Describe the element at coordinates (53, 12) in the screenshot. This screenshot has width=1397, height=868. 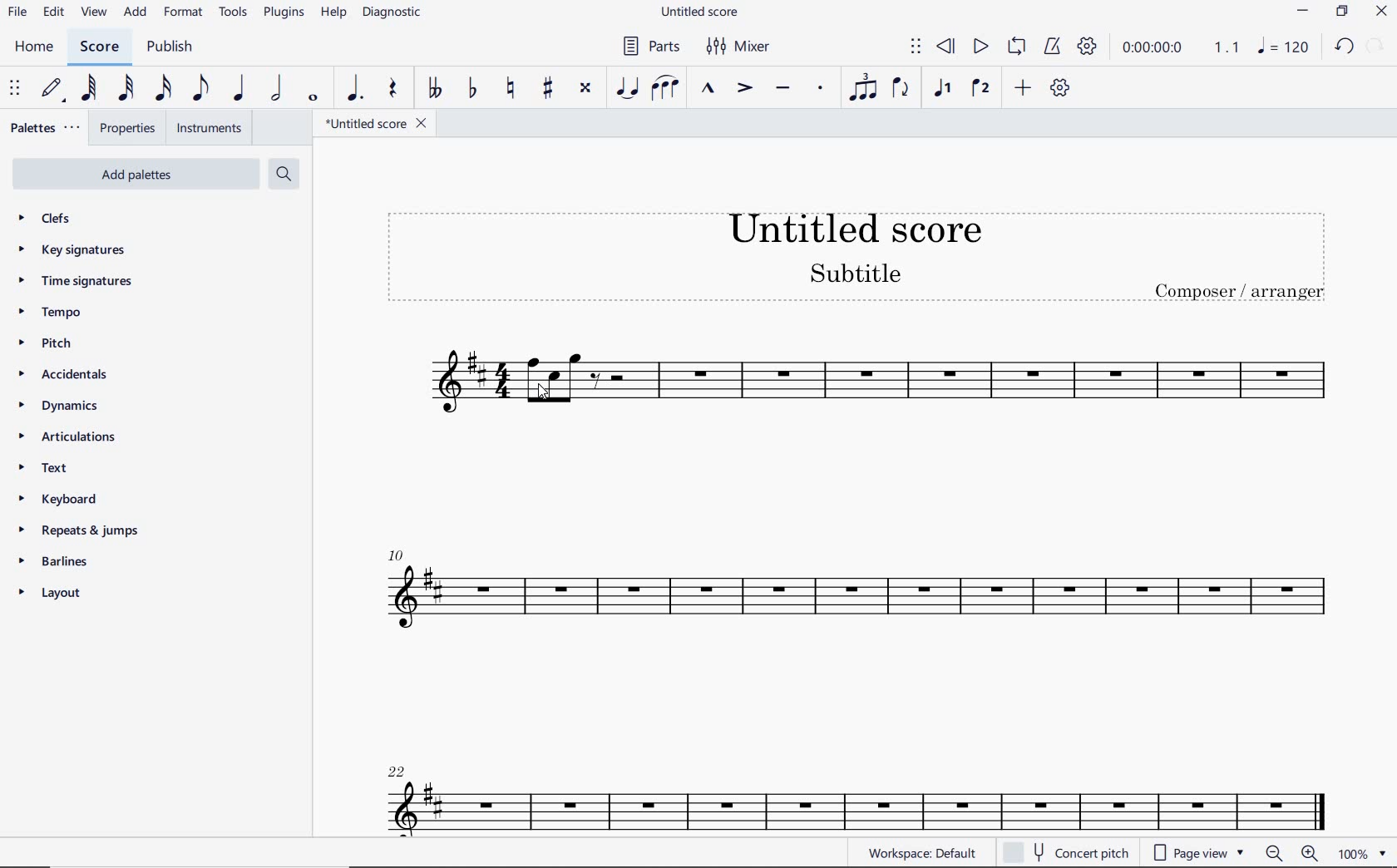
I see `EDIT` at that location.